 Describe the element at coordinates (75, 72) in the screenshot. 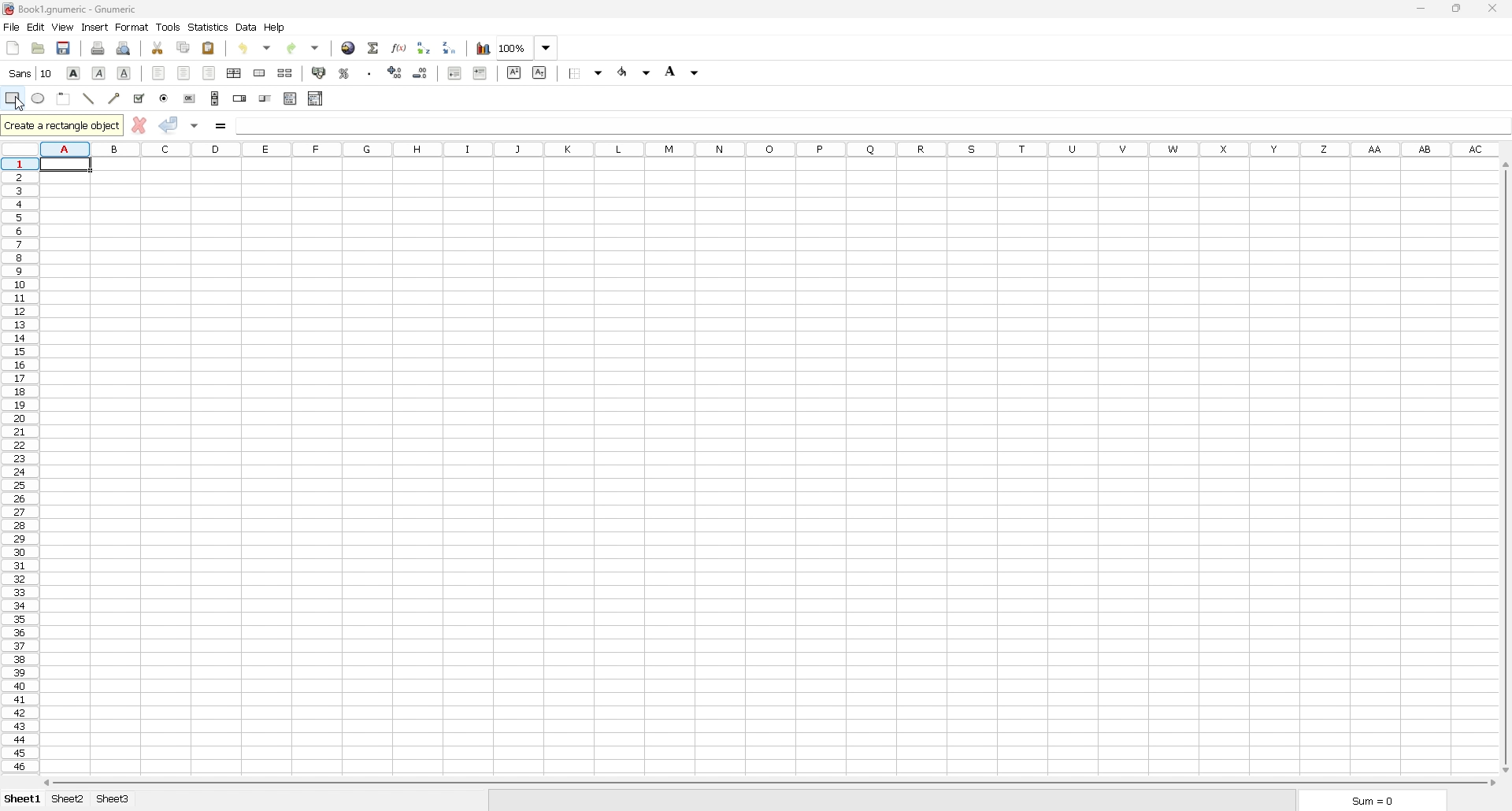

I see `bold` at that location.